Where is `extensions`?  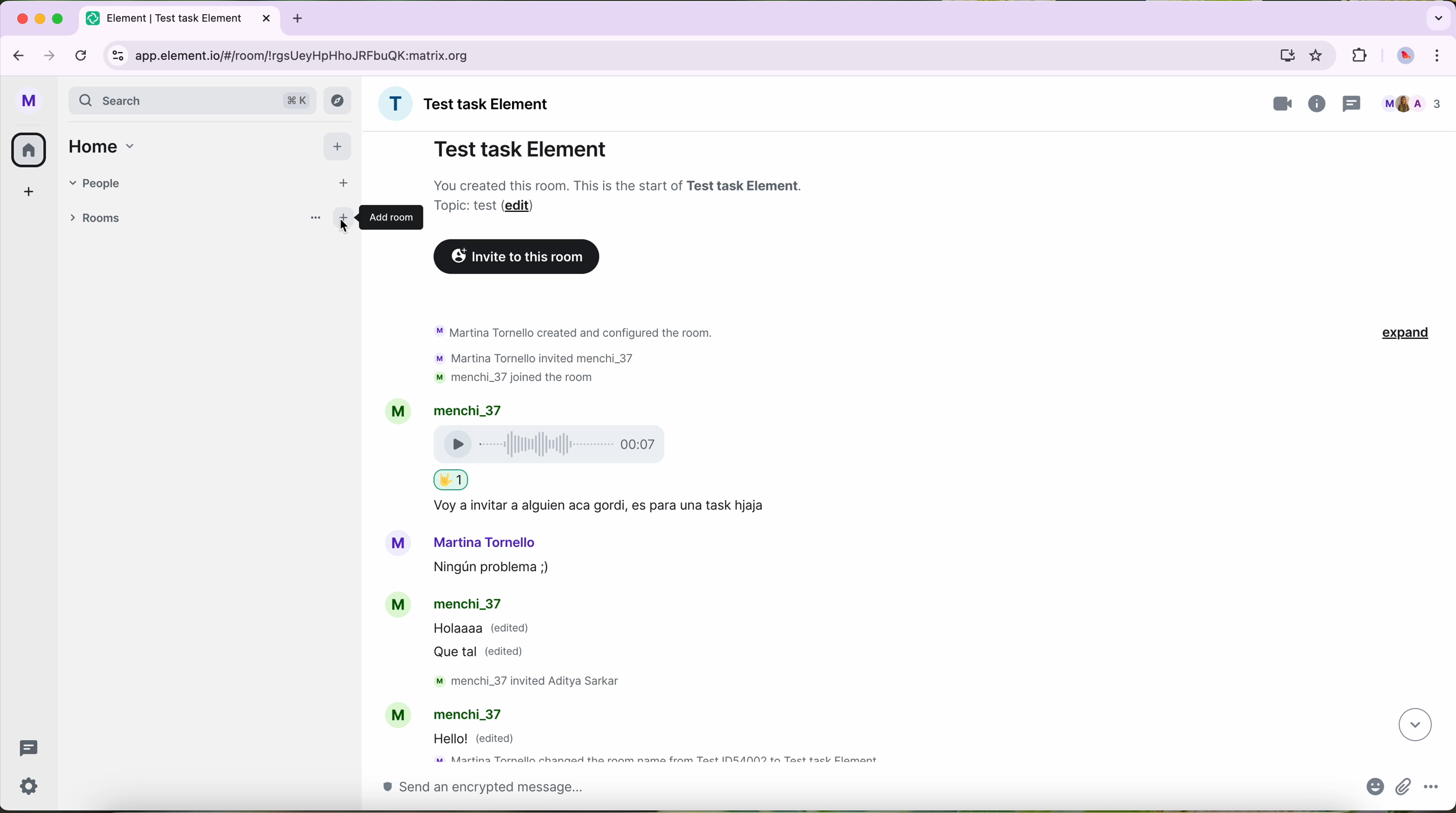 extensions is located at coordinates (1358, 54).